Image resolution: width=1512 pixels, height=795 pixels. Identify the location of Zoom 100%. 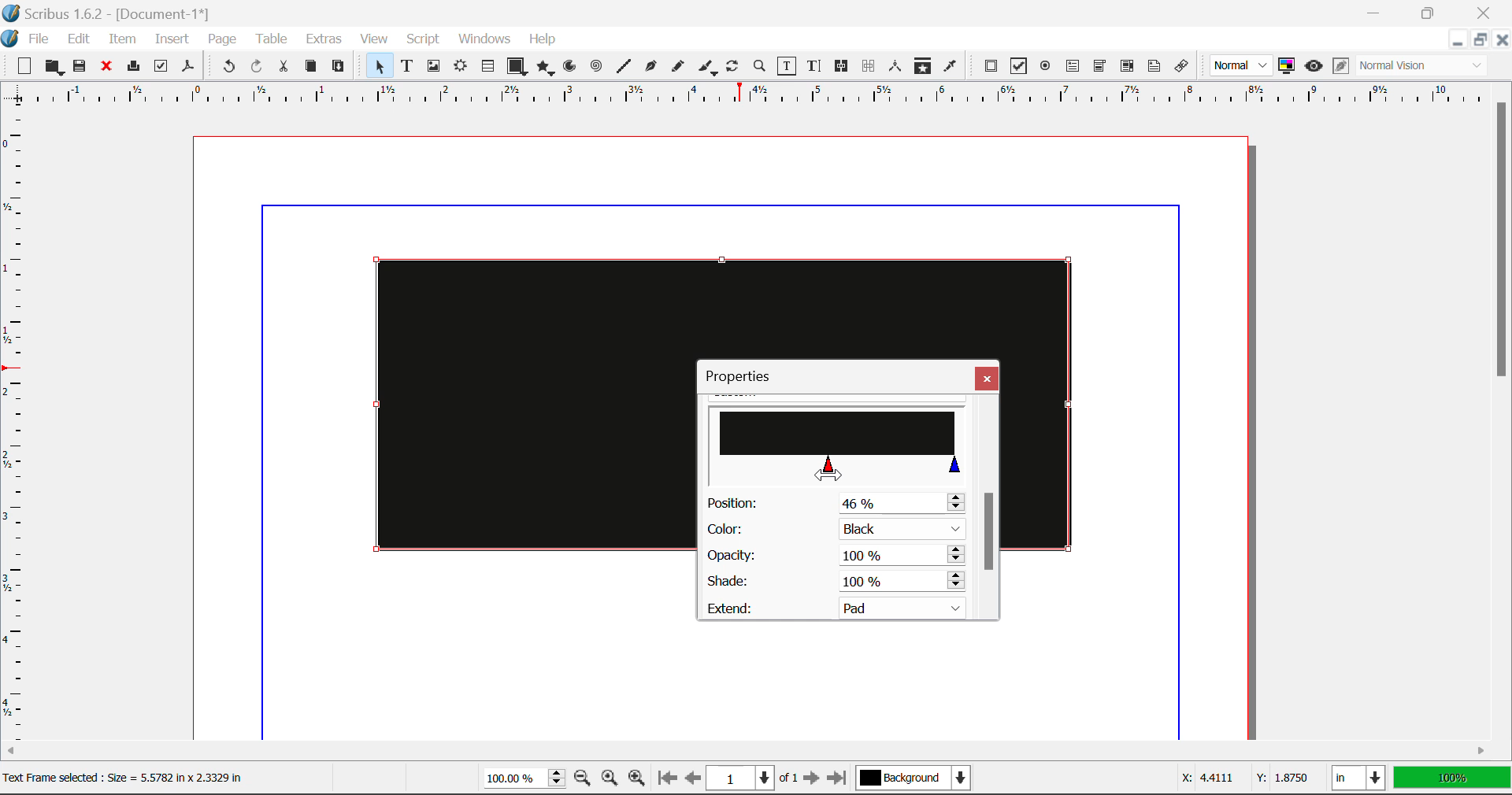
(524, 780).